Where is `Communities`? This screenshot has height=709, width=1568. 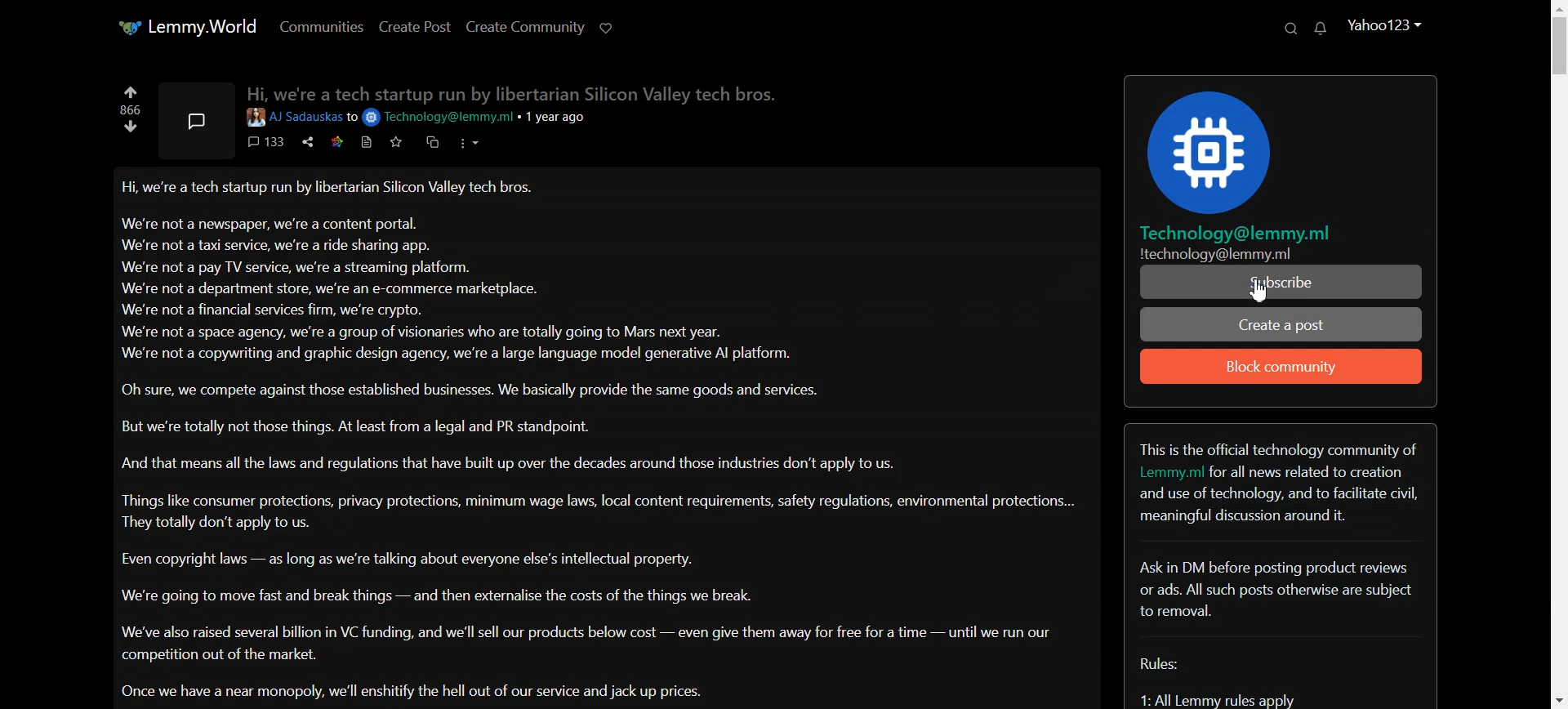 Communities is located at coordinates (320, 26).